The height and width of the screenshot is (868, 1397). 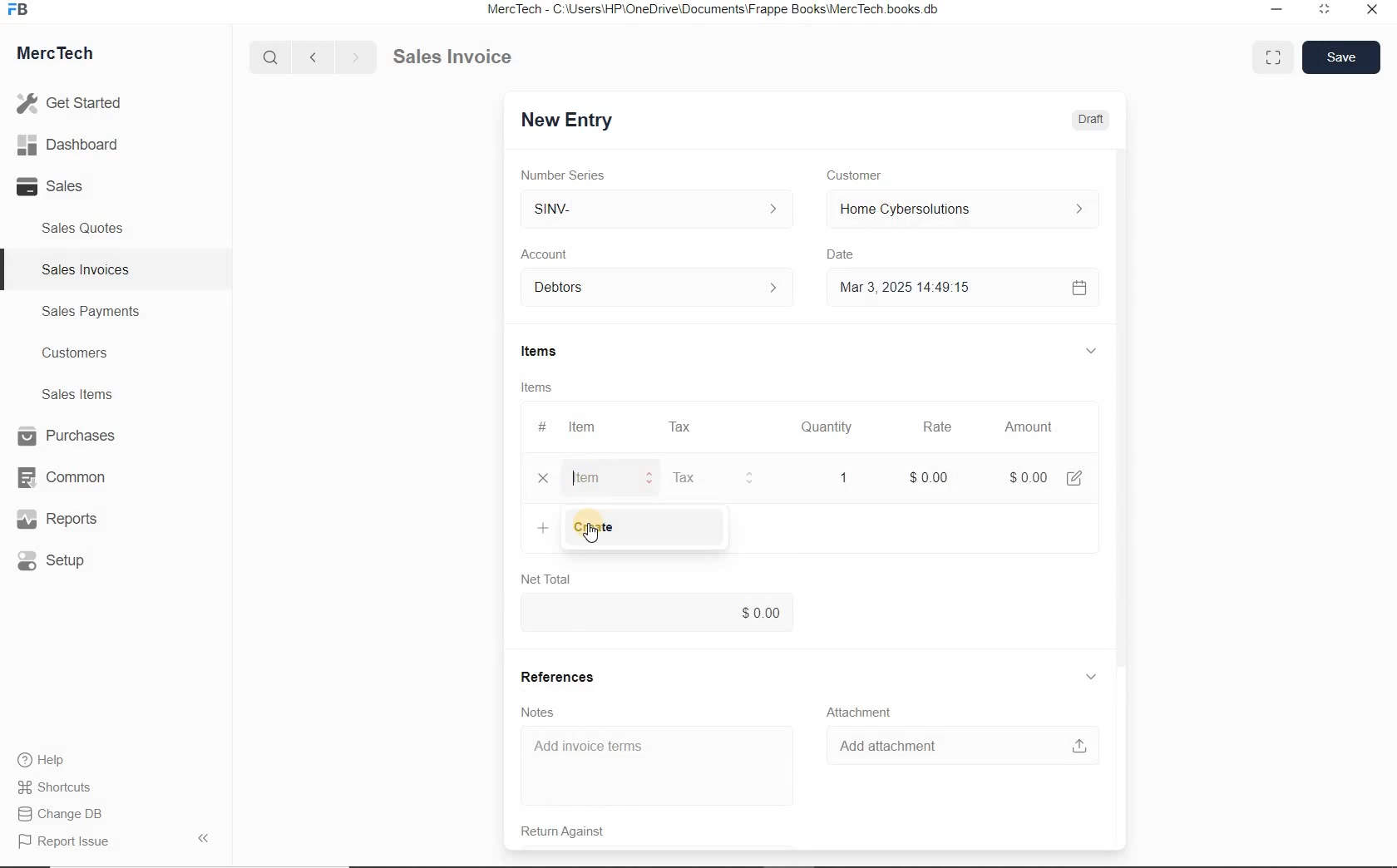 I want to click on Get Started, so click(x=75, y=103).